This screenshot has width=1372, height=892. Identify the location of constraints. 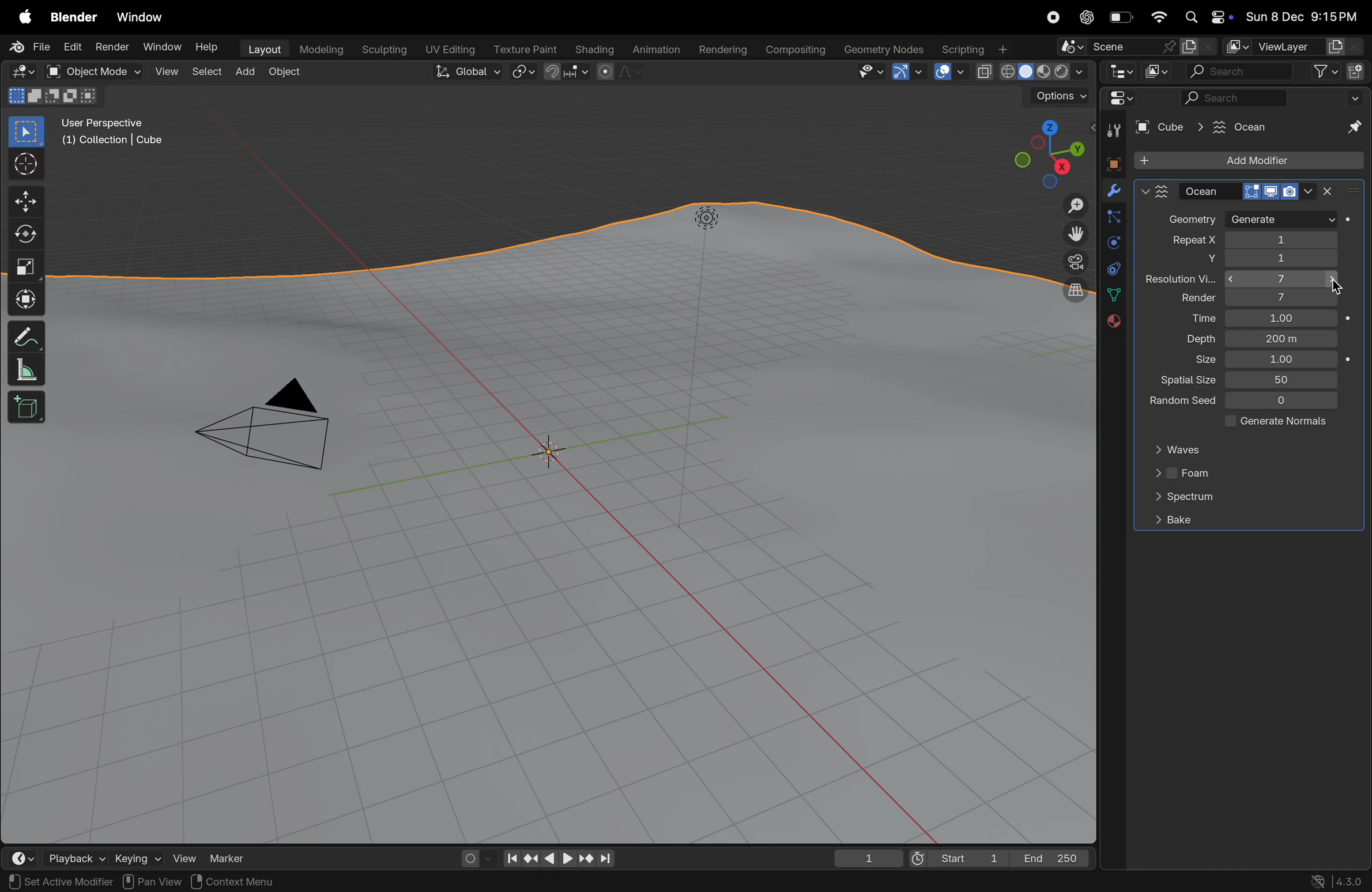
(1113, 267).